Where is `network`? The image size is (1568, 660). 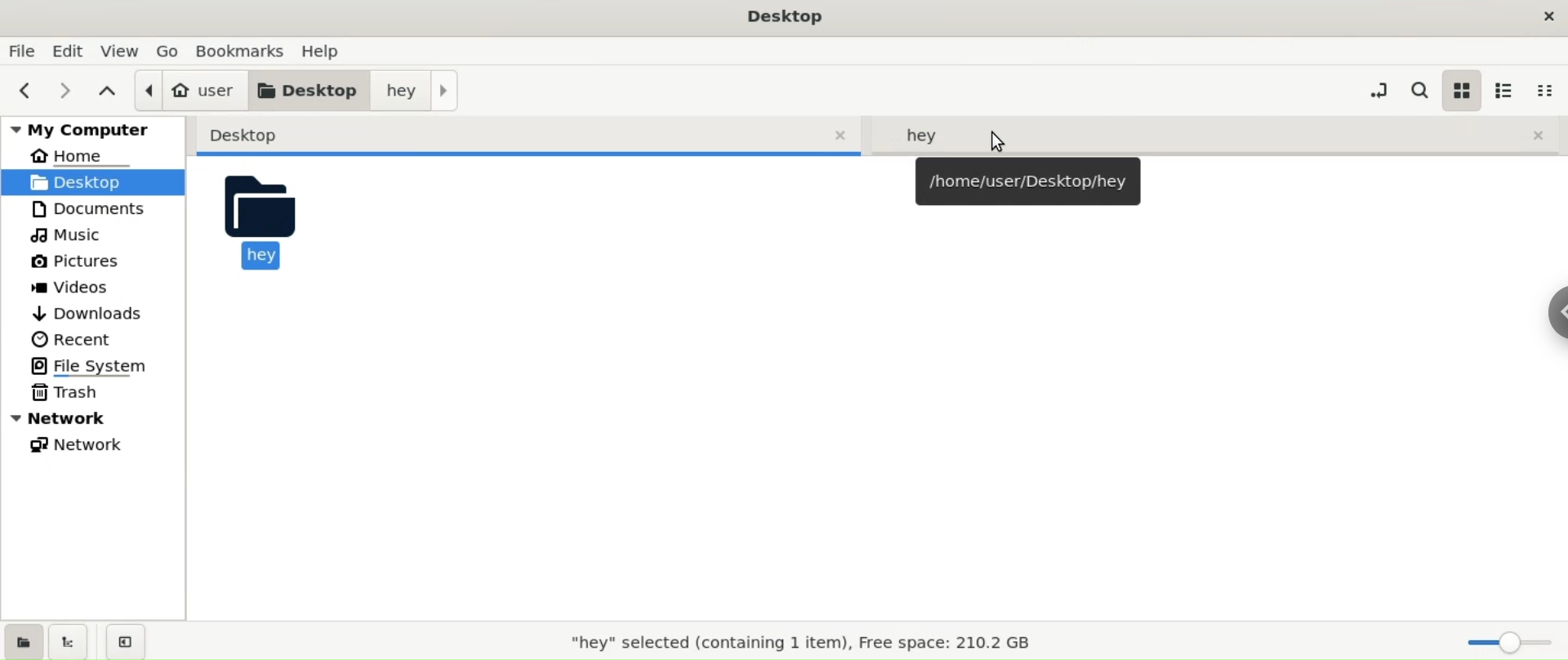
network is located at coordinates (95, 419).